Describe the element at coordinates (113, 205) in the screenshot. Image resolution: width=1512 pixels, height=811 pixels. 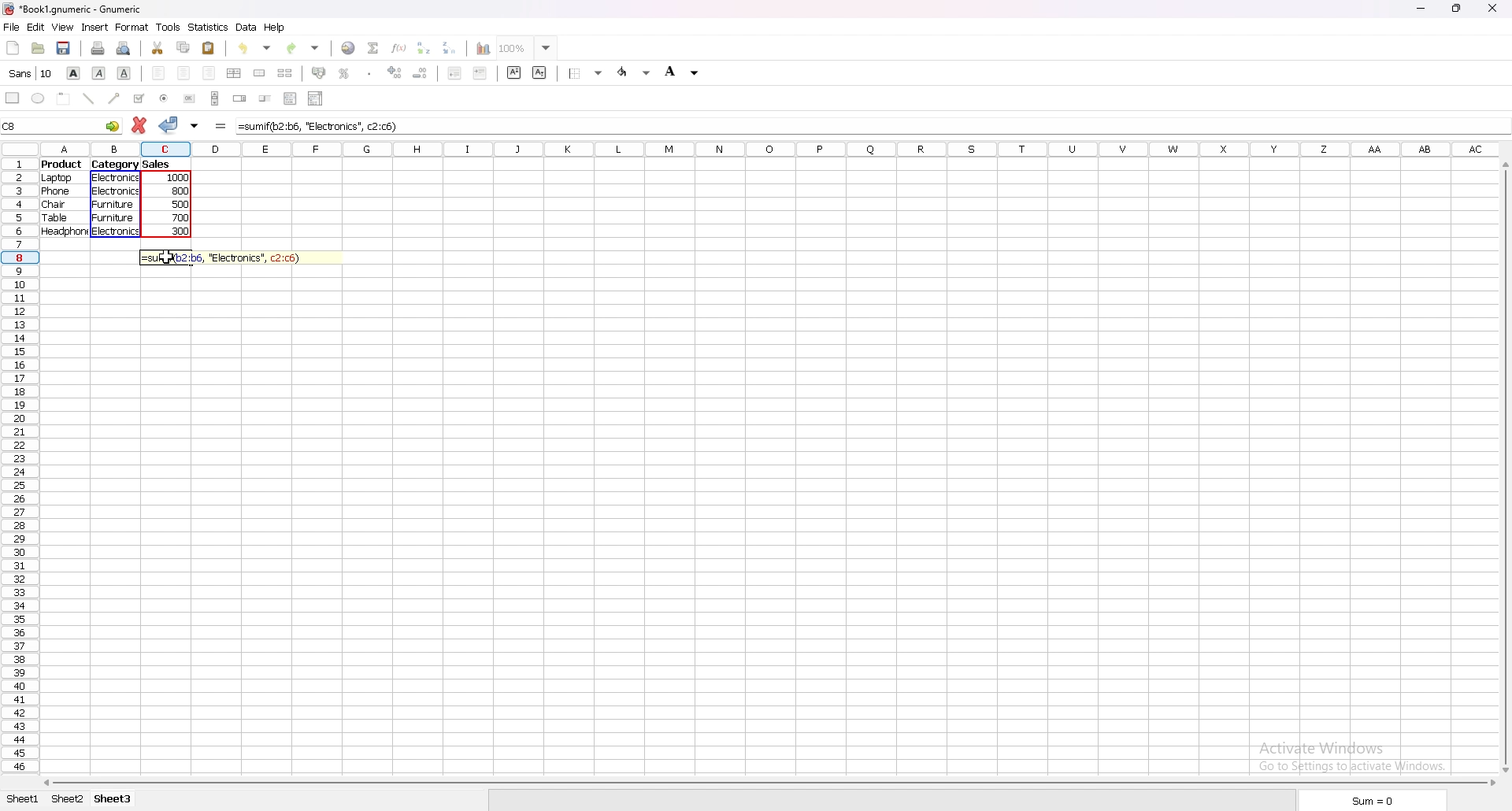
I see `furniture` at that location.